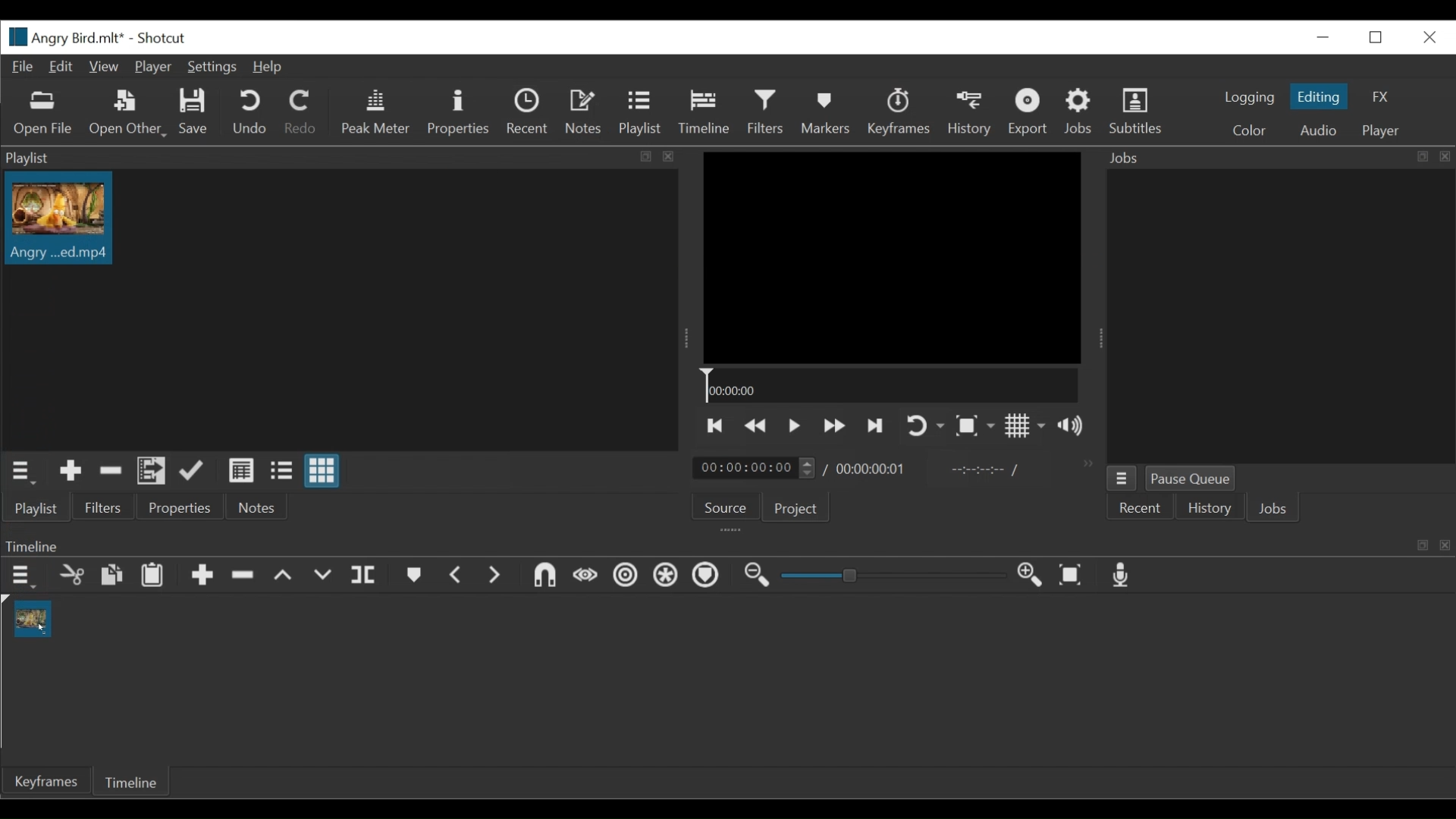 The height and width of the screenshot is (819, 1456). What do you see at coordinates (1078, 110) in the screenshot?
I see `Jobs` at bounding box center [1078, 110].